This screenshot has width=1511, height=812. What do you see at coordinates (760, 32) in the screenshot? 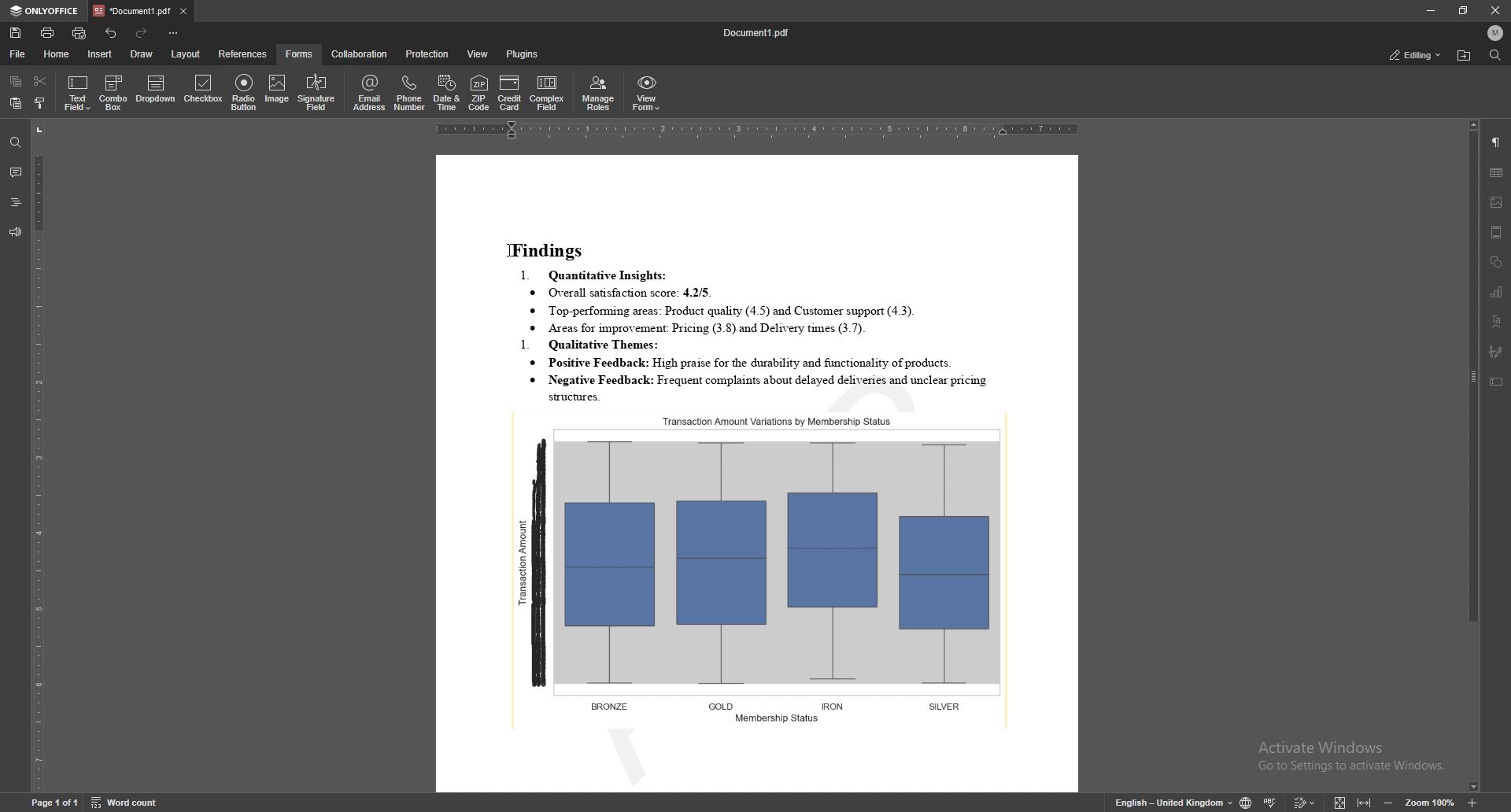
I see `file name` at bounding box center [760, 32].